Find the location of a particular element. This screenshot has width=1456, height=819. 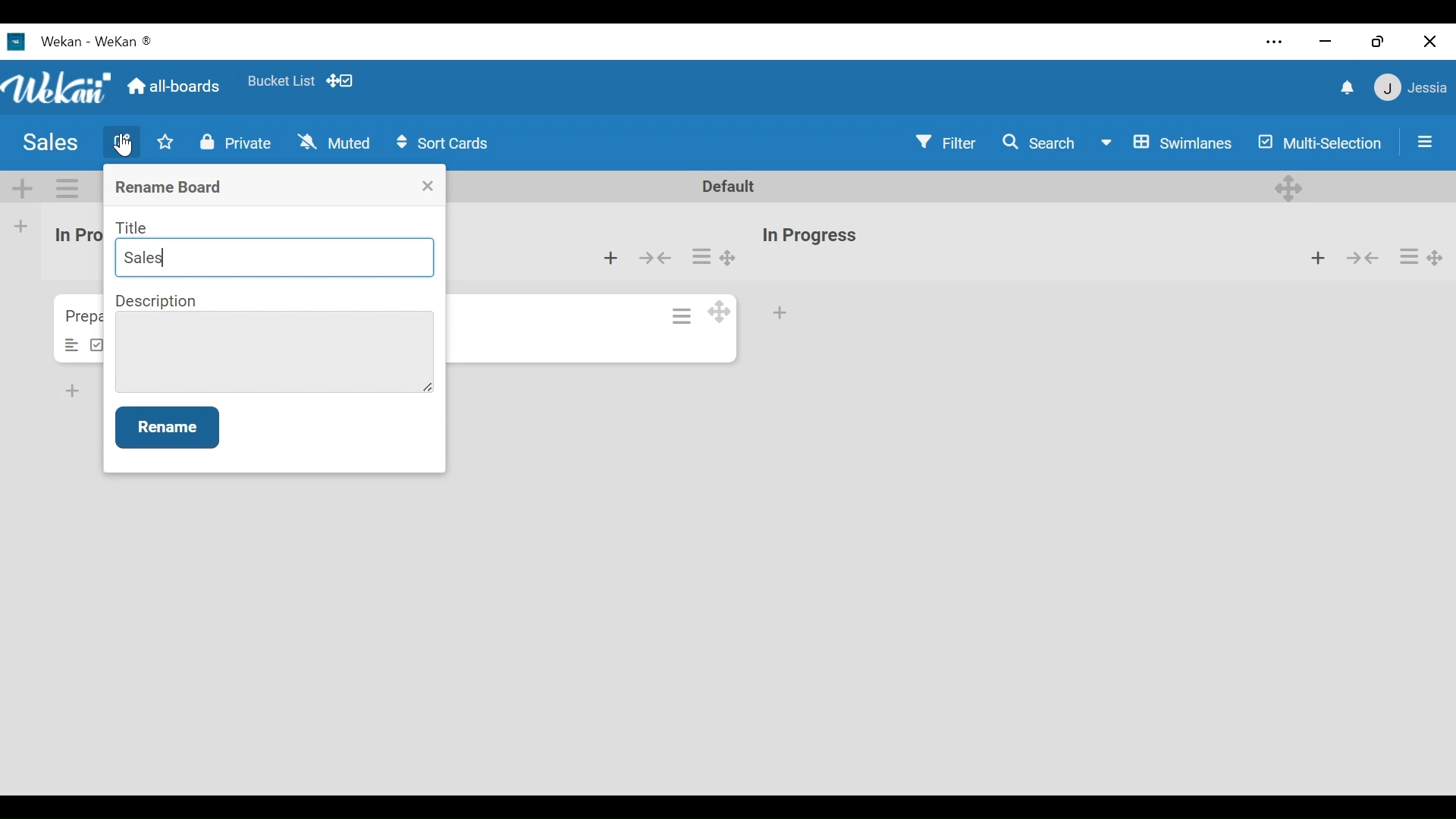

Rename is located at coordinates (167, 427).